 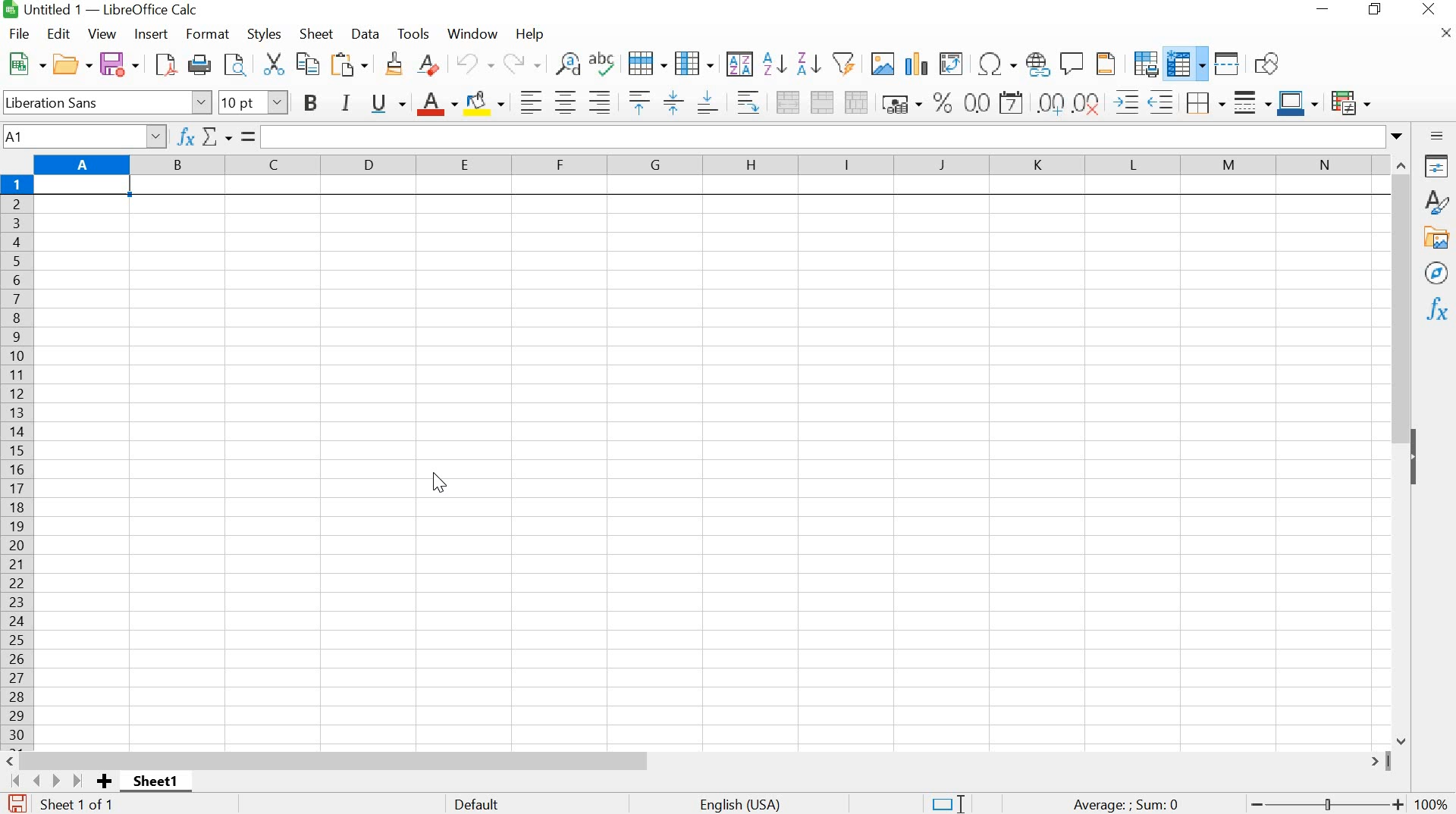 I want to click on ADD SHEET, so click(x=105, y=782).